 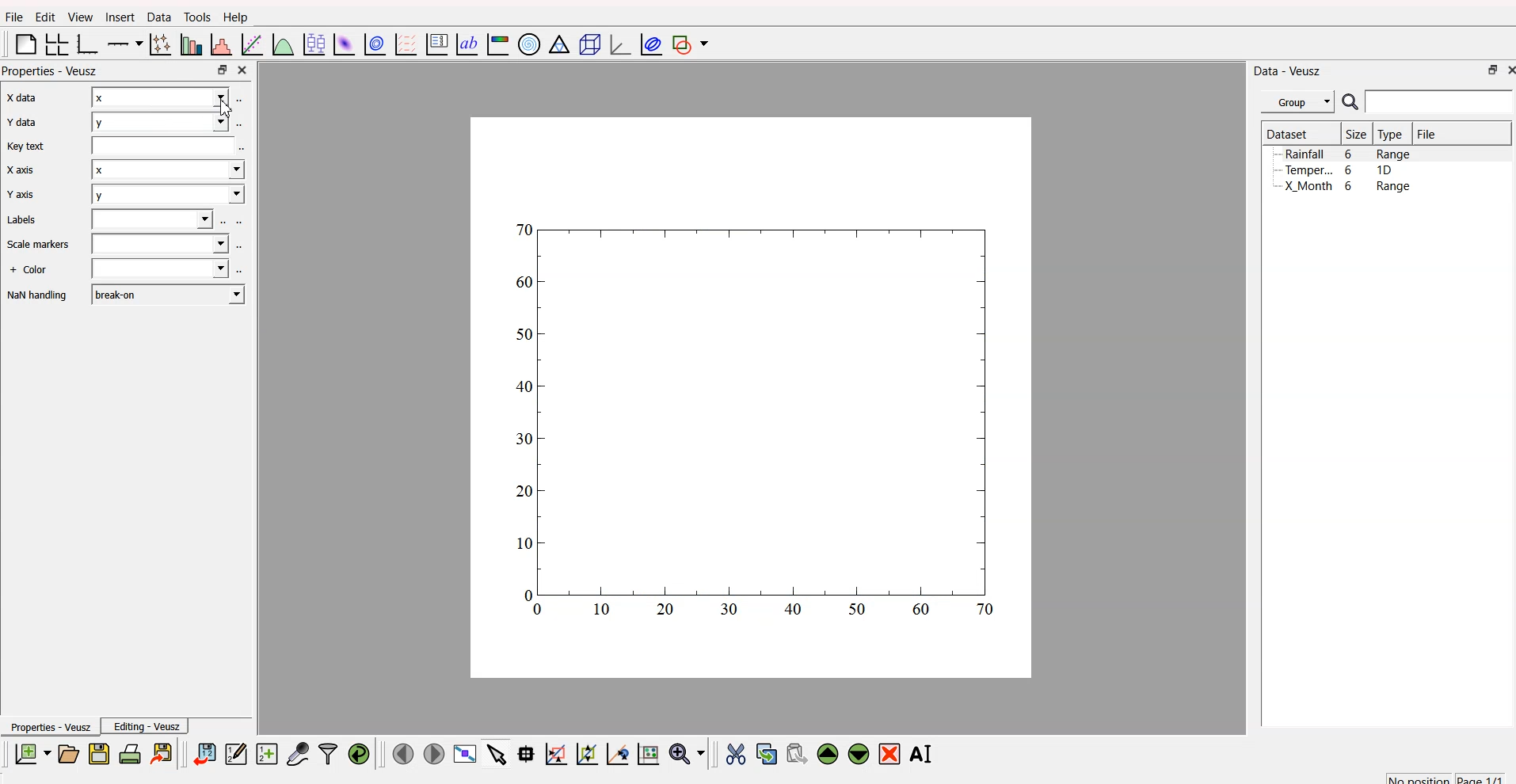 I want to click on 3D scene, so click(x=586, y=44).